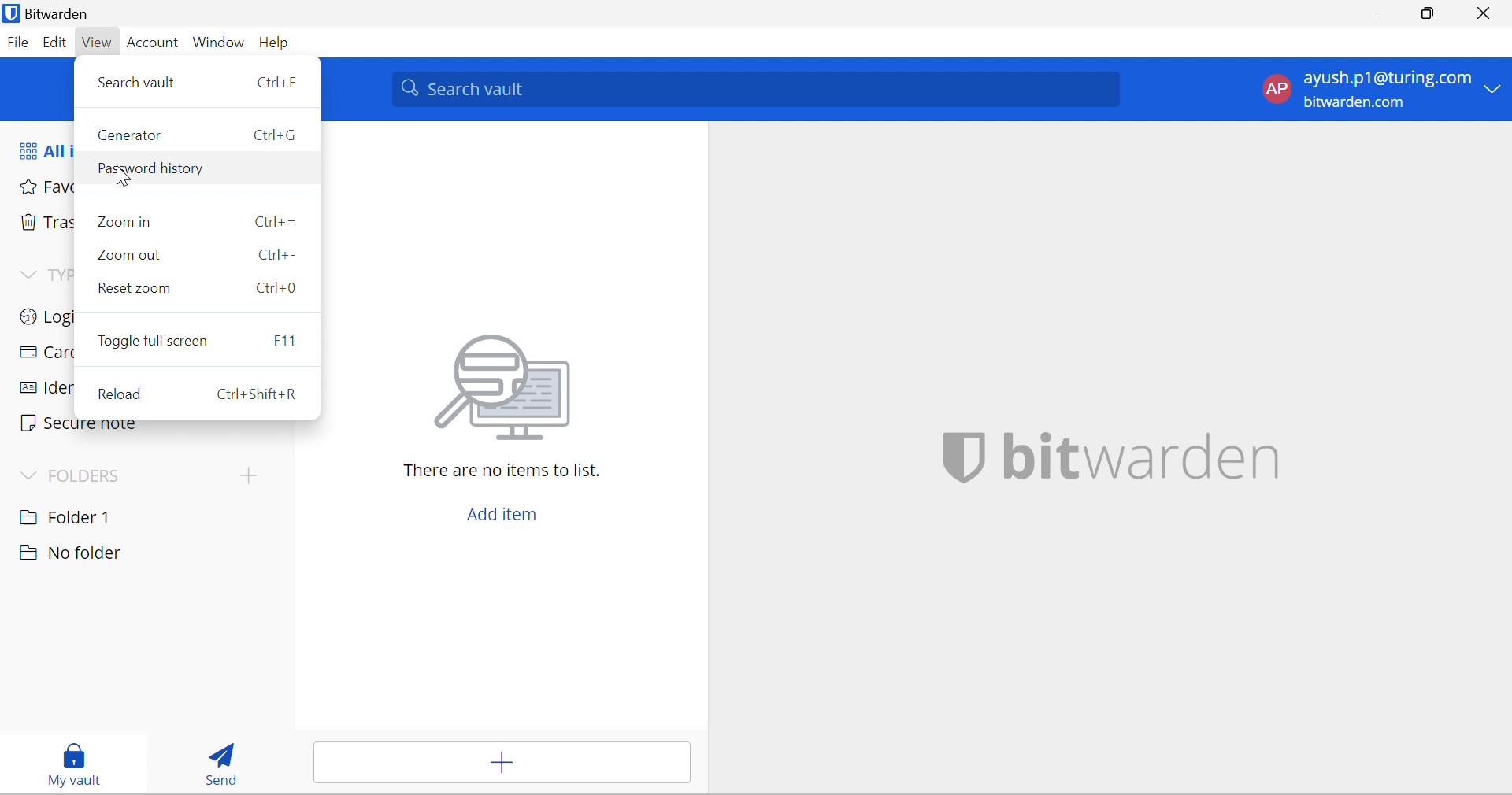  What do you see at coordinates (1147, 458) in the screenshot?
I see `bitwarden` at bounding box center [1147, 458].